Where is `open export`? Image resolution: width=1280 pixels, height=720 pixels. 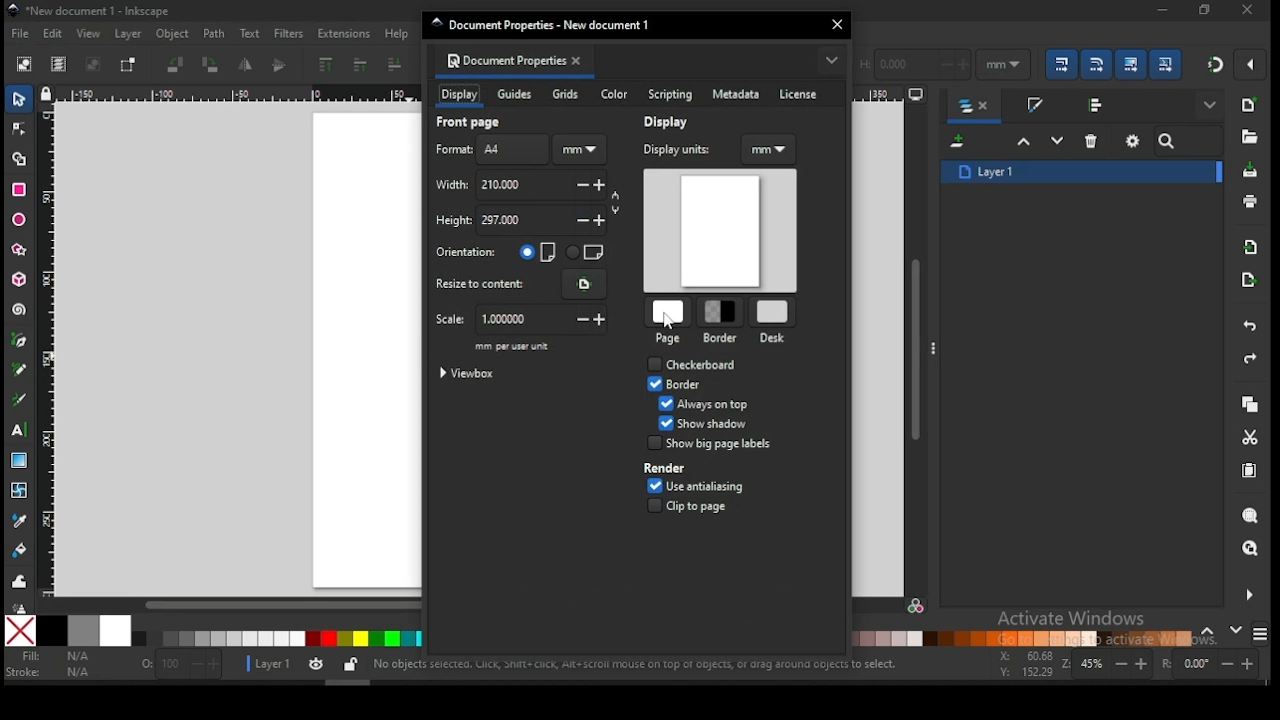
open export is located at coordinates (1248, 279).